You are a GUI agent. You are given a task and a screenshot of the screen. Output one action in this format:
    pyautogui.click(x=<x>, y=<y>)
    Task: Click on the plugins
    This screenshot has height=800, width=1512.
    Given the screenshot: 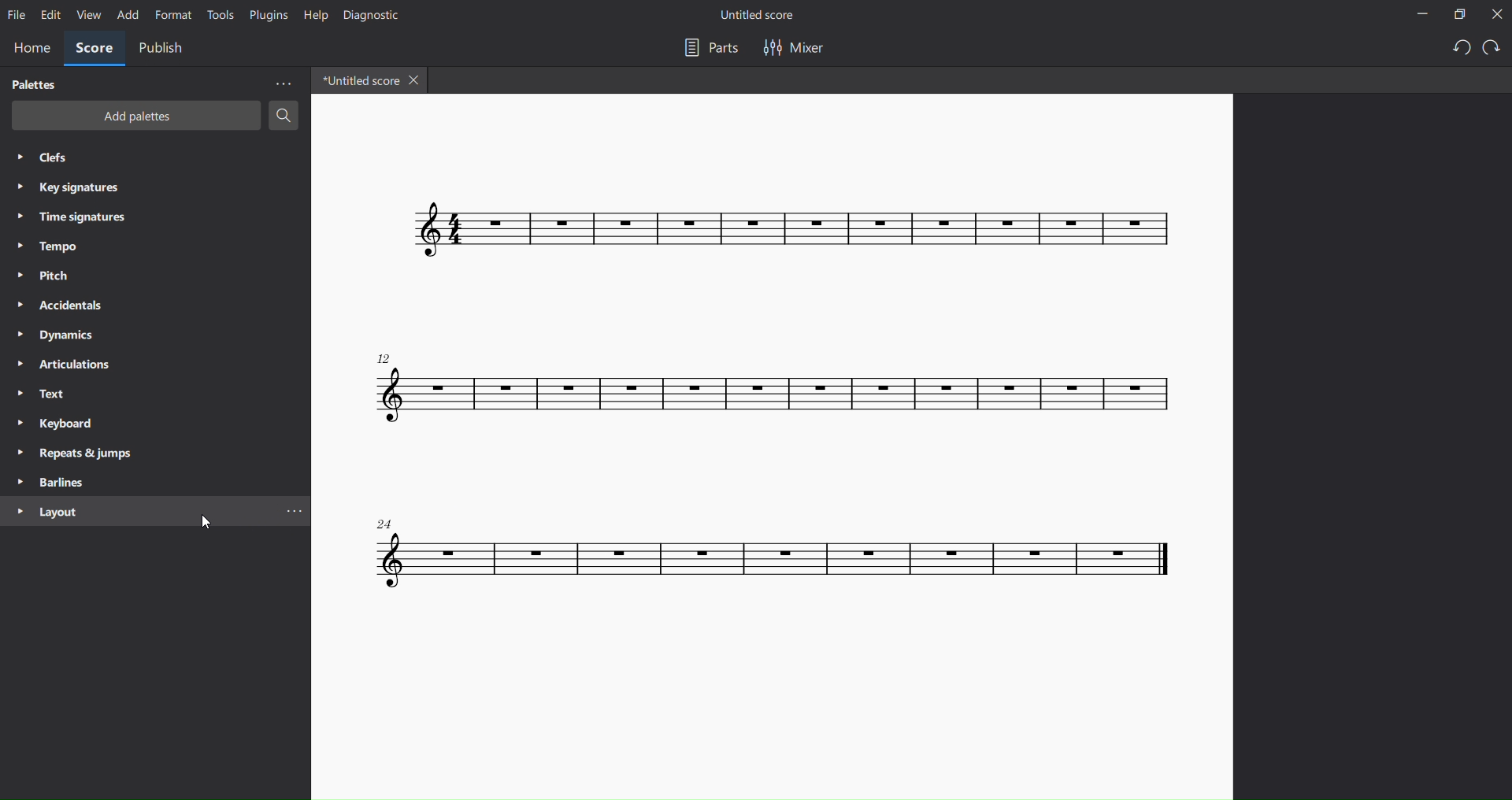 What is the action you would take?
    pyautogui.click(x=265, y=17)
    